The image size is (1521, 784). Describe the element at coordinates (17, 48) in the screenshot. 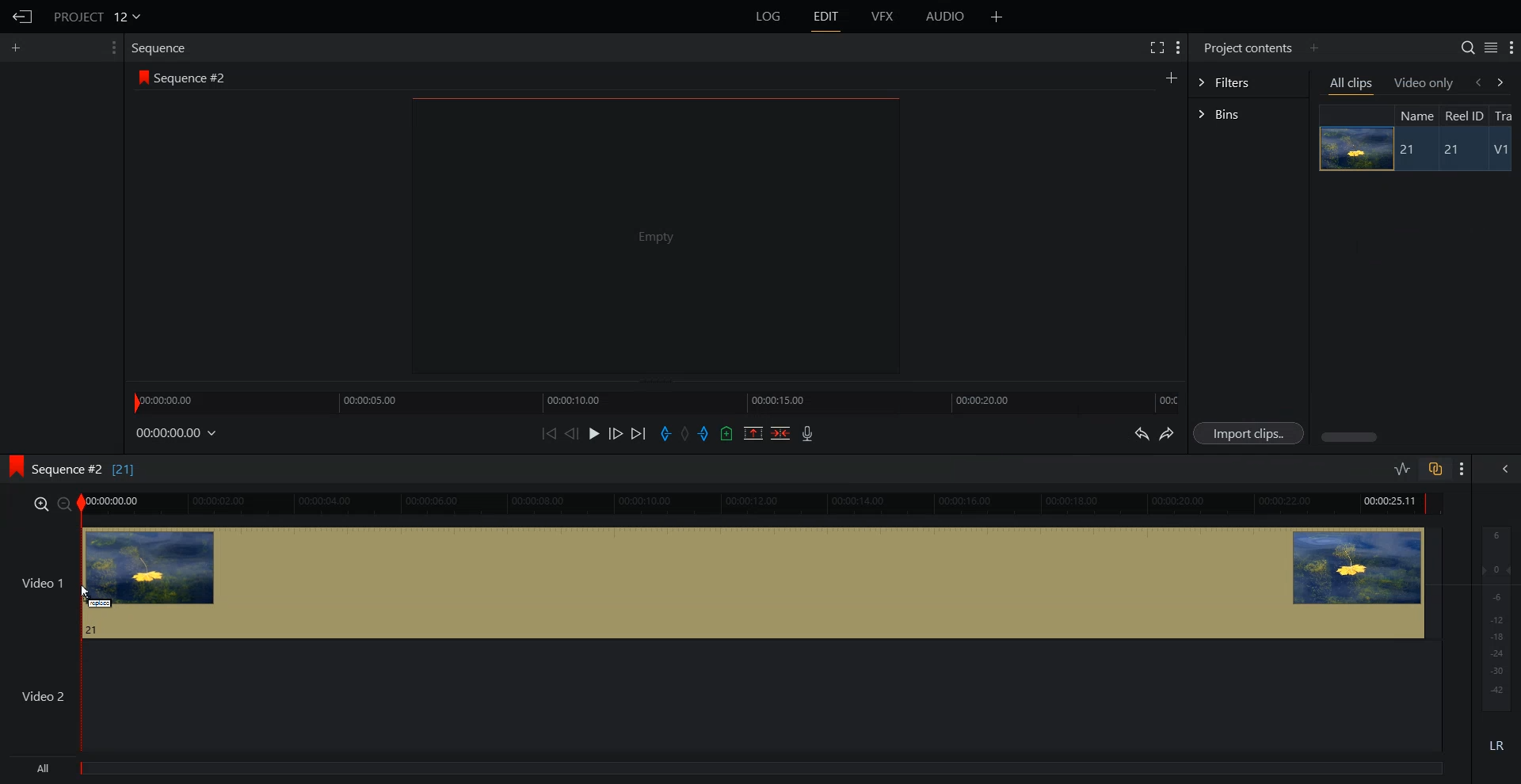

I see `Add Panel` at that location.